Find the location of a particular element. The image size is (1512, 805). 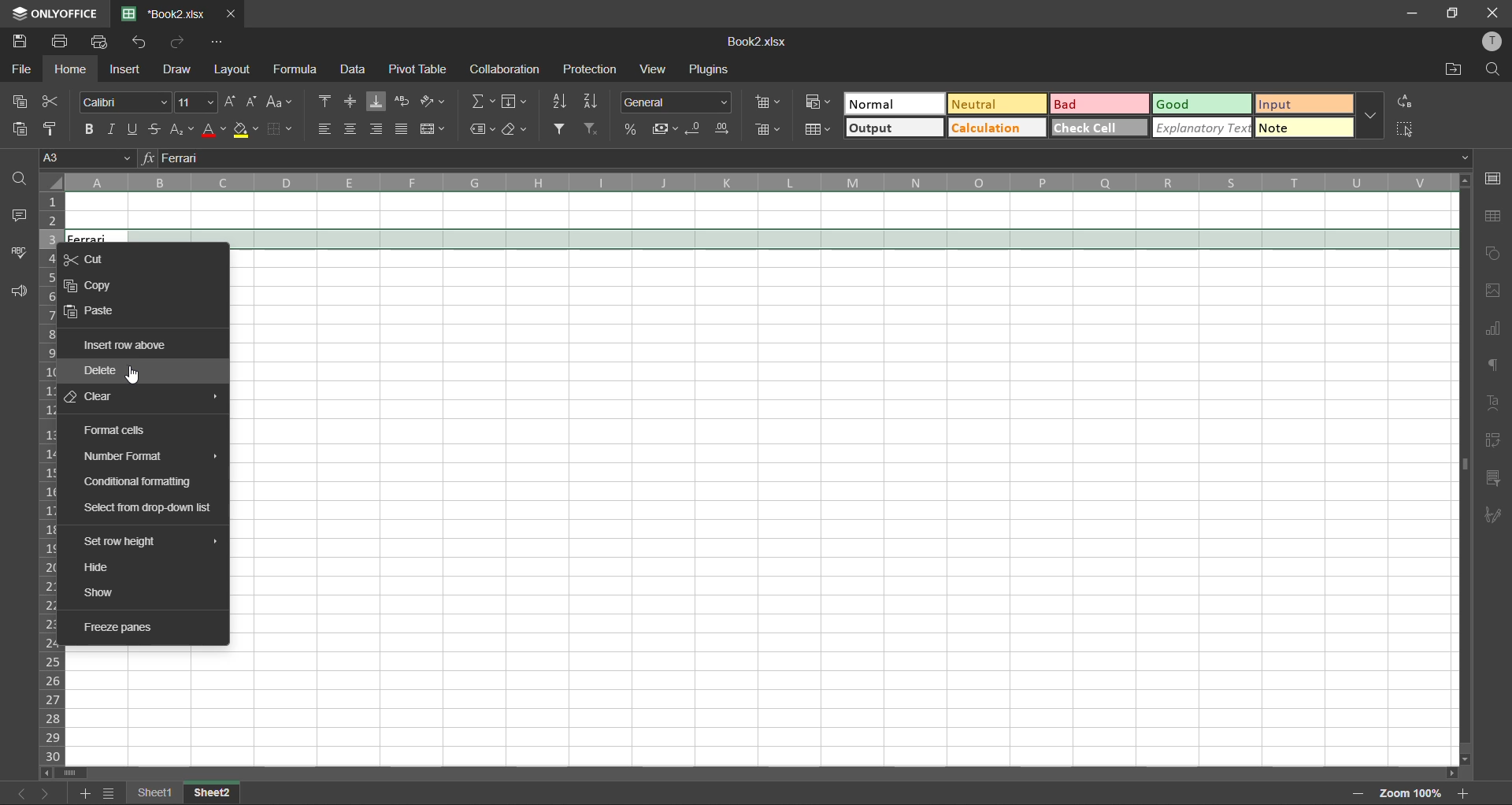

cell settings is located at coordinates (1497, 178).